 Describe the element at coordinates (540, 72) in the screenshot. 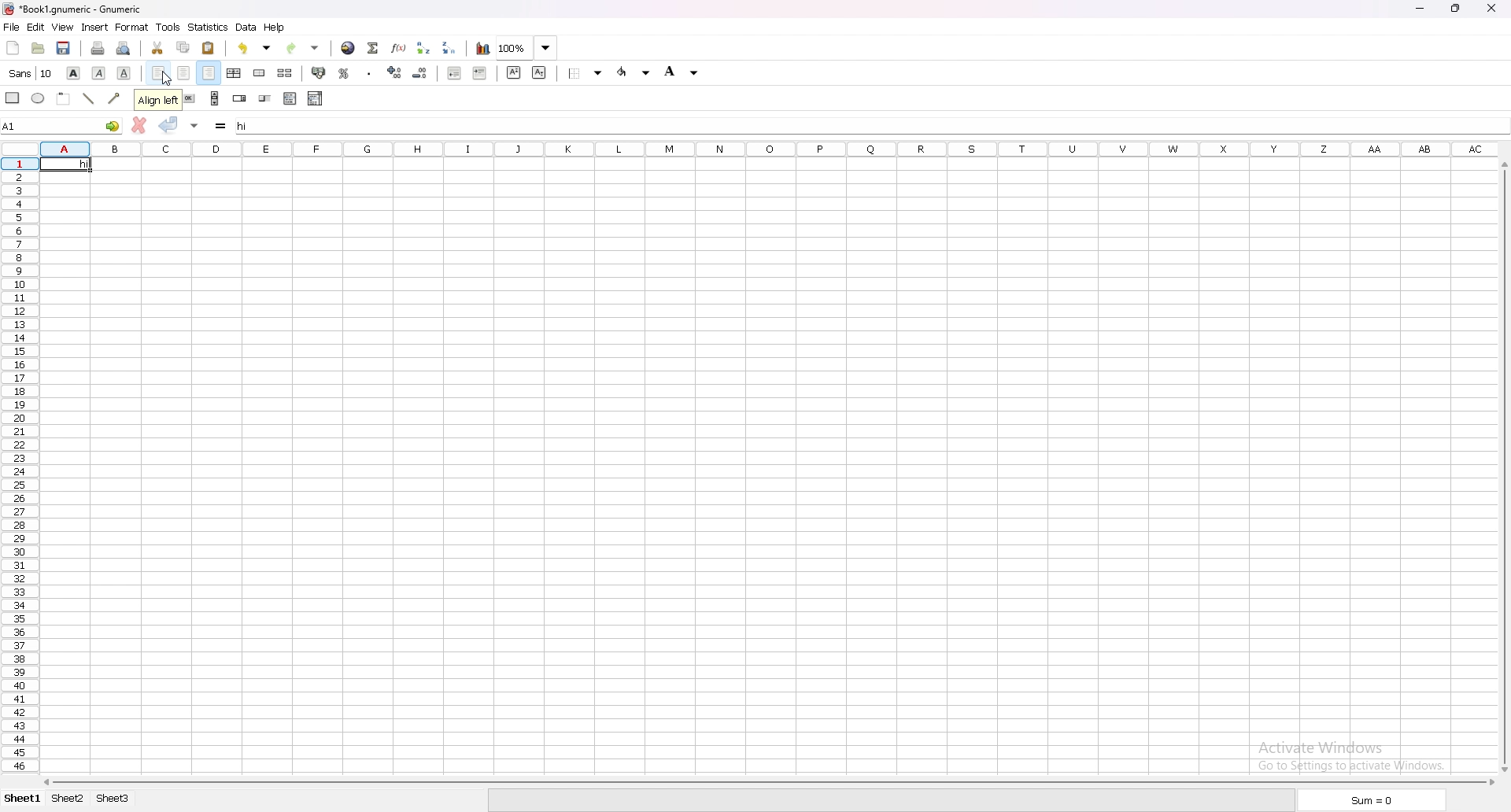

I see `subscript` at that location.